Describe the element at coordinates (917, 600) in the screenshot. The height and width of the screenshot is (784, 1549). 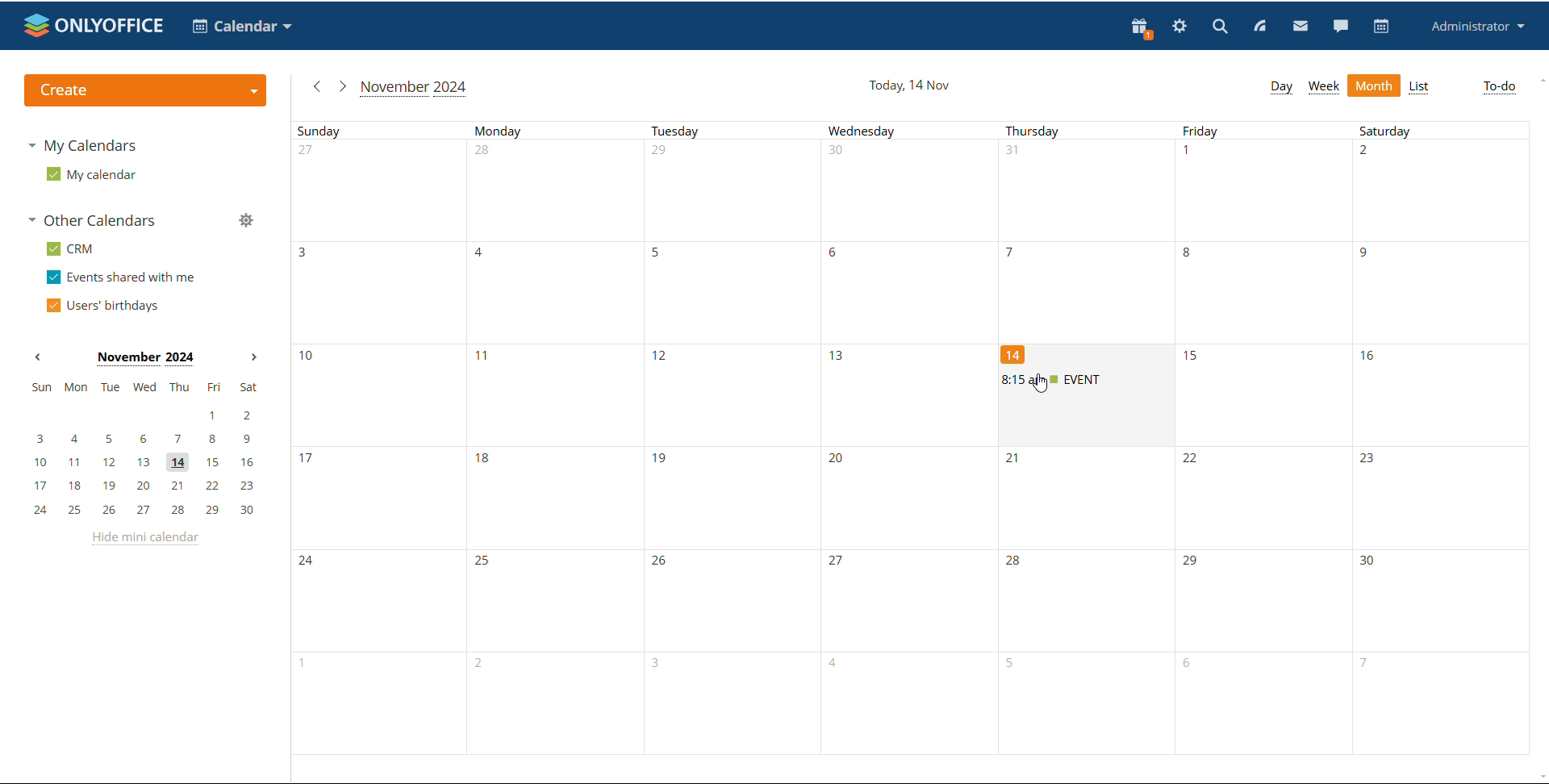
I see `24, 25, 26, 27, 28, 29, 30` at that location.